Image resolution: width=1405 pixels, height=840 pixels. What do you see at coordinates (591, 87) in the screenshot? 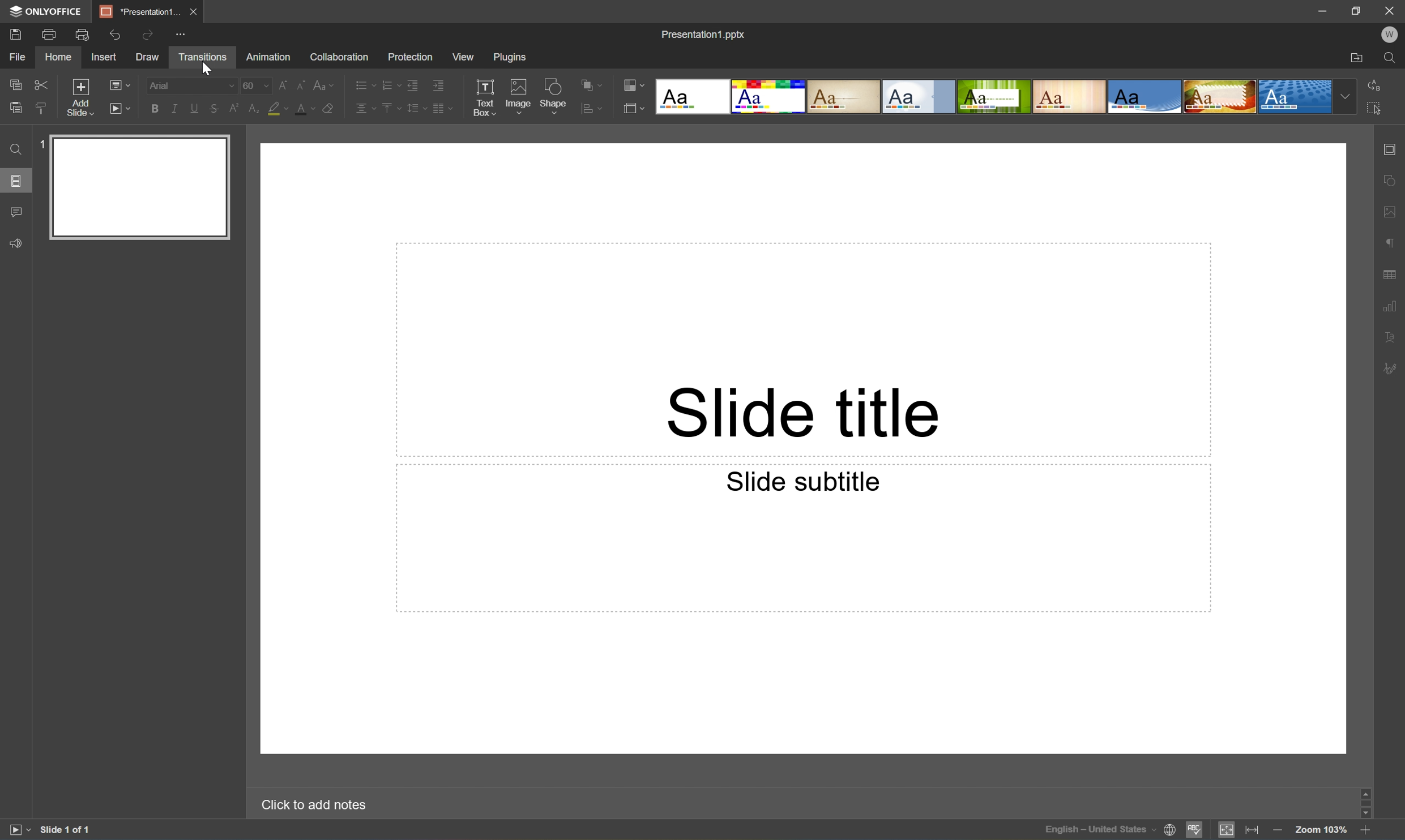
I see `Arrange shapes` at bounding box center [591, 87].